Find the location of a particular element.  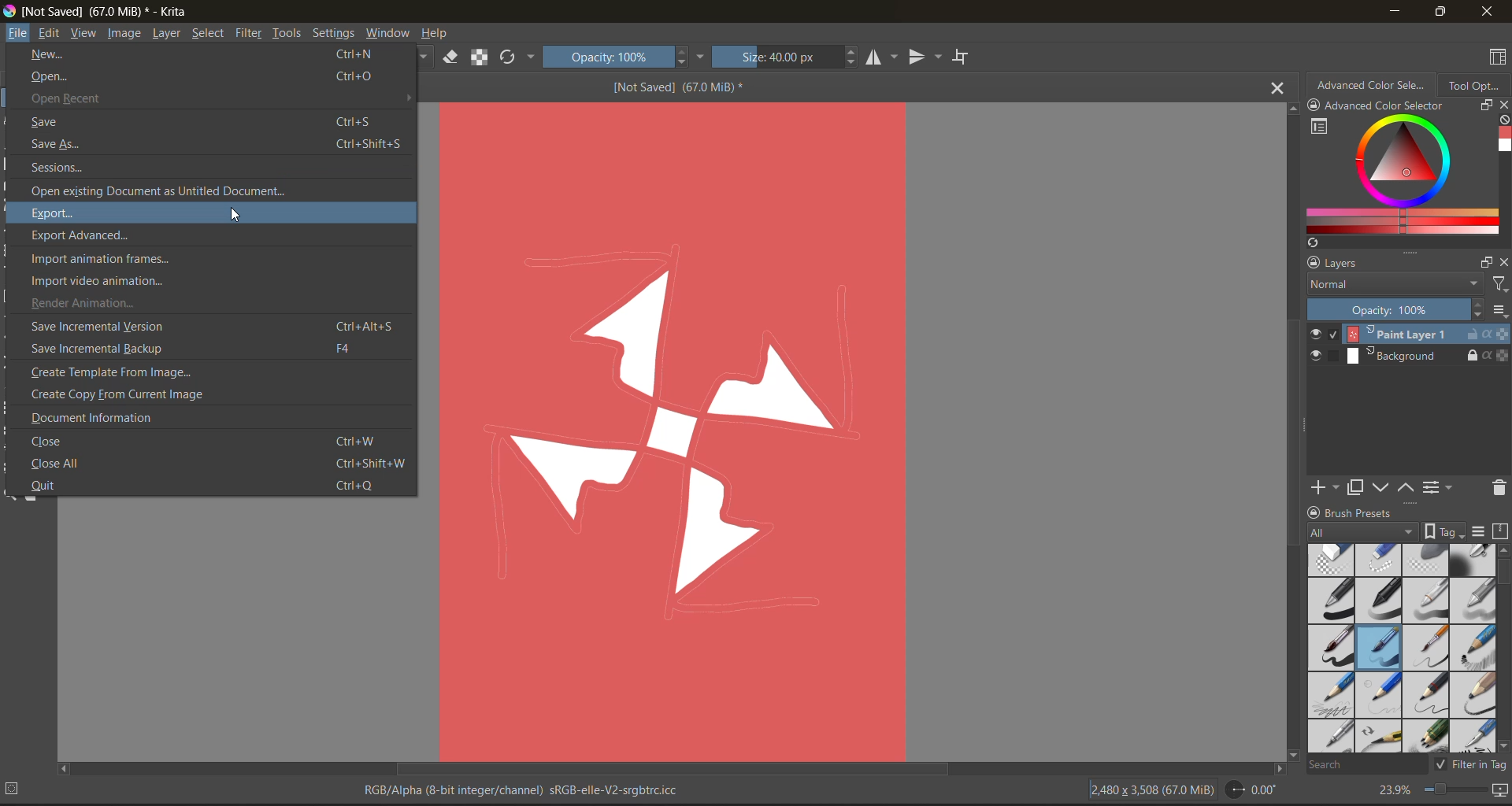

horizontal scroll bar is located at coordinates (670, 769).